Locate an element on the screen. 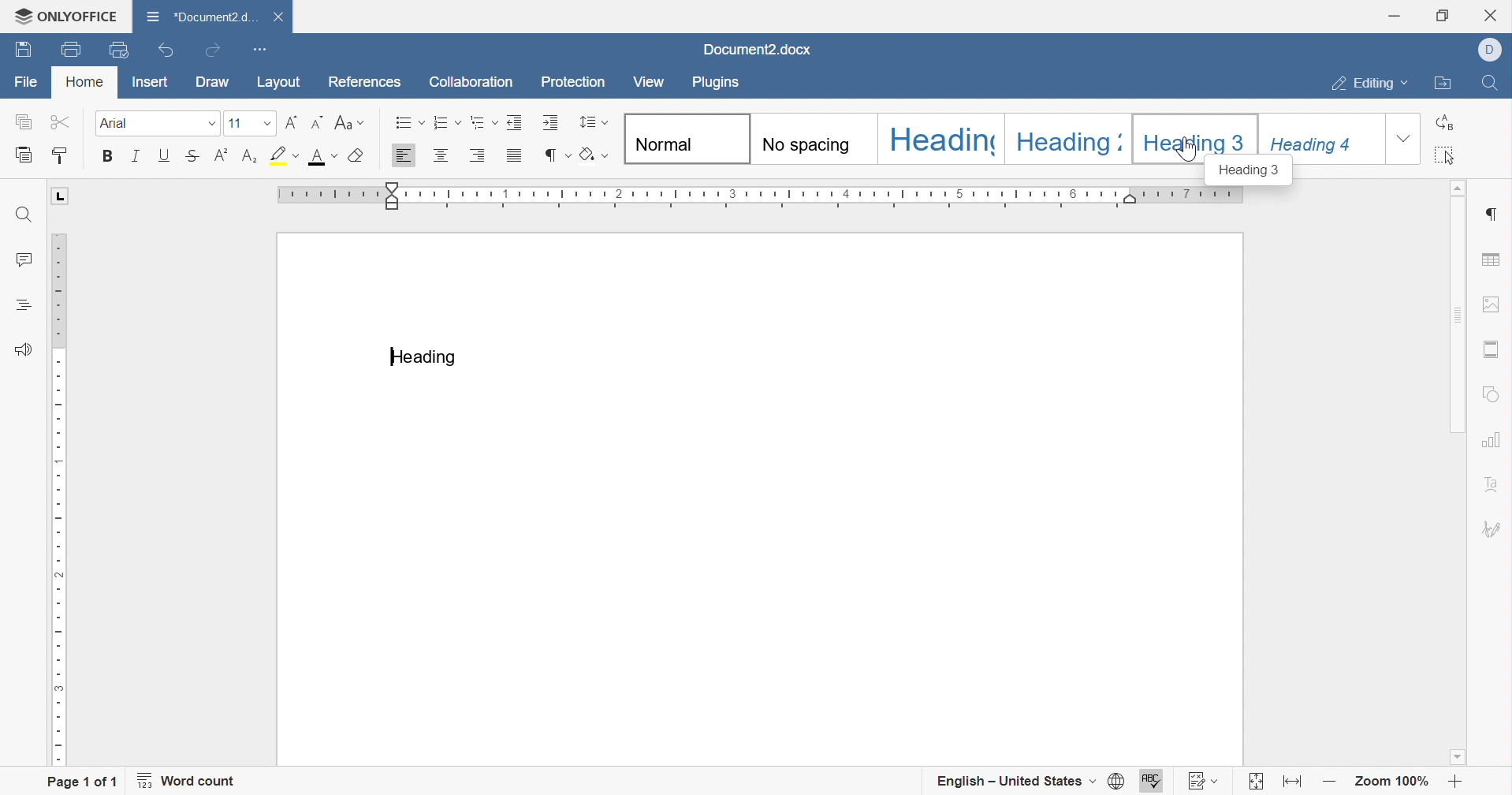  Minimize is located at coordinates (1392, 16).